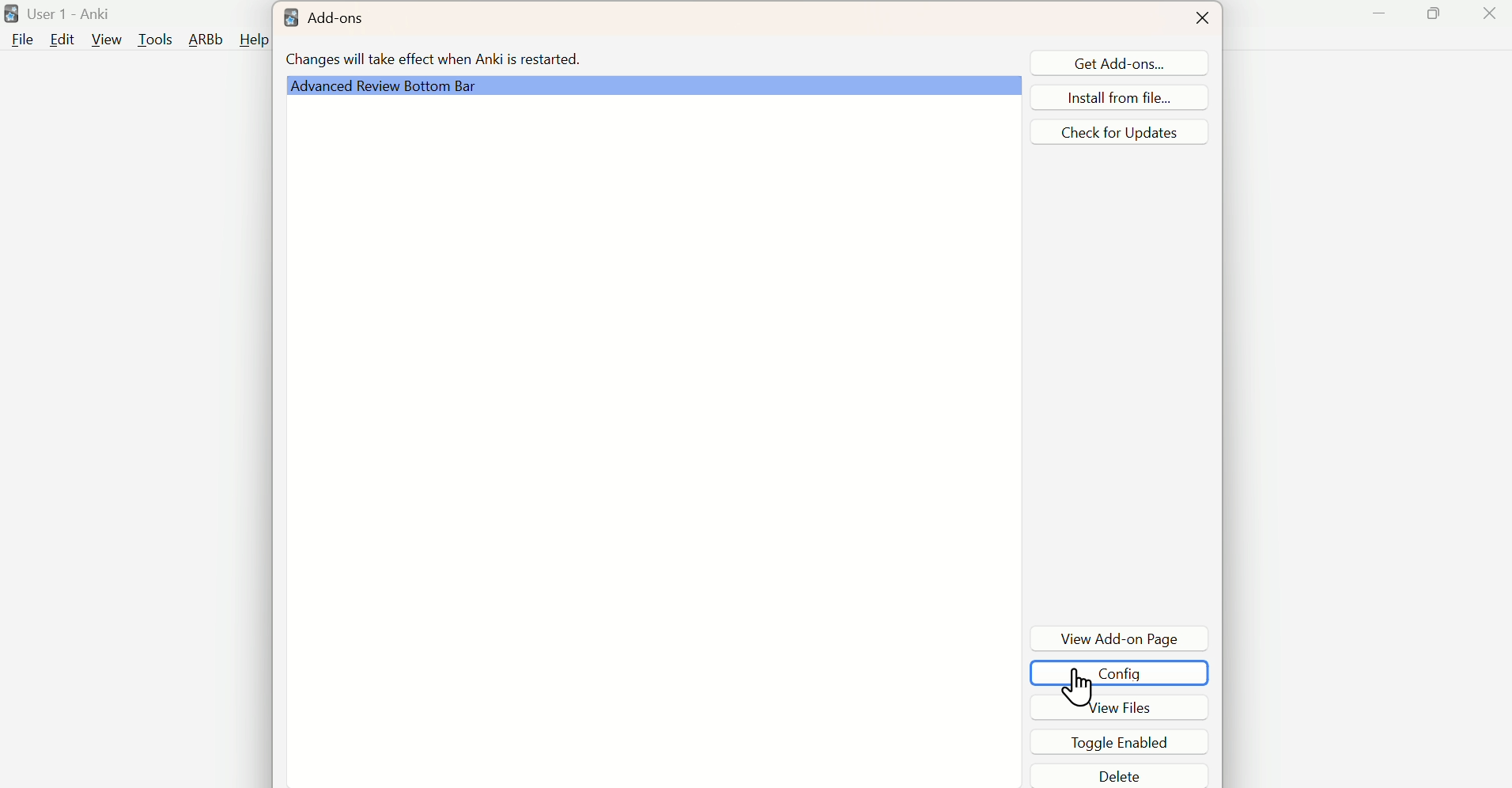 This screenshot has width=1512, height=788. Describe the element at coordinates (61, 40) in the screenshot. I see `Edit` at that location.